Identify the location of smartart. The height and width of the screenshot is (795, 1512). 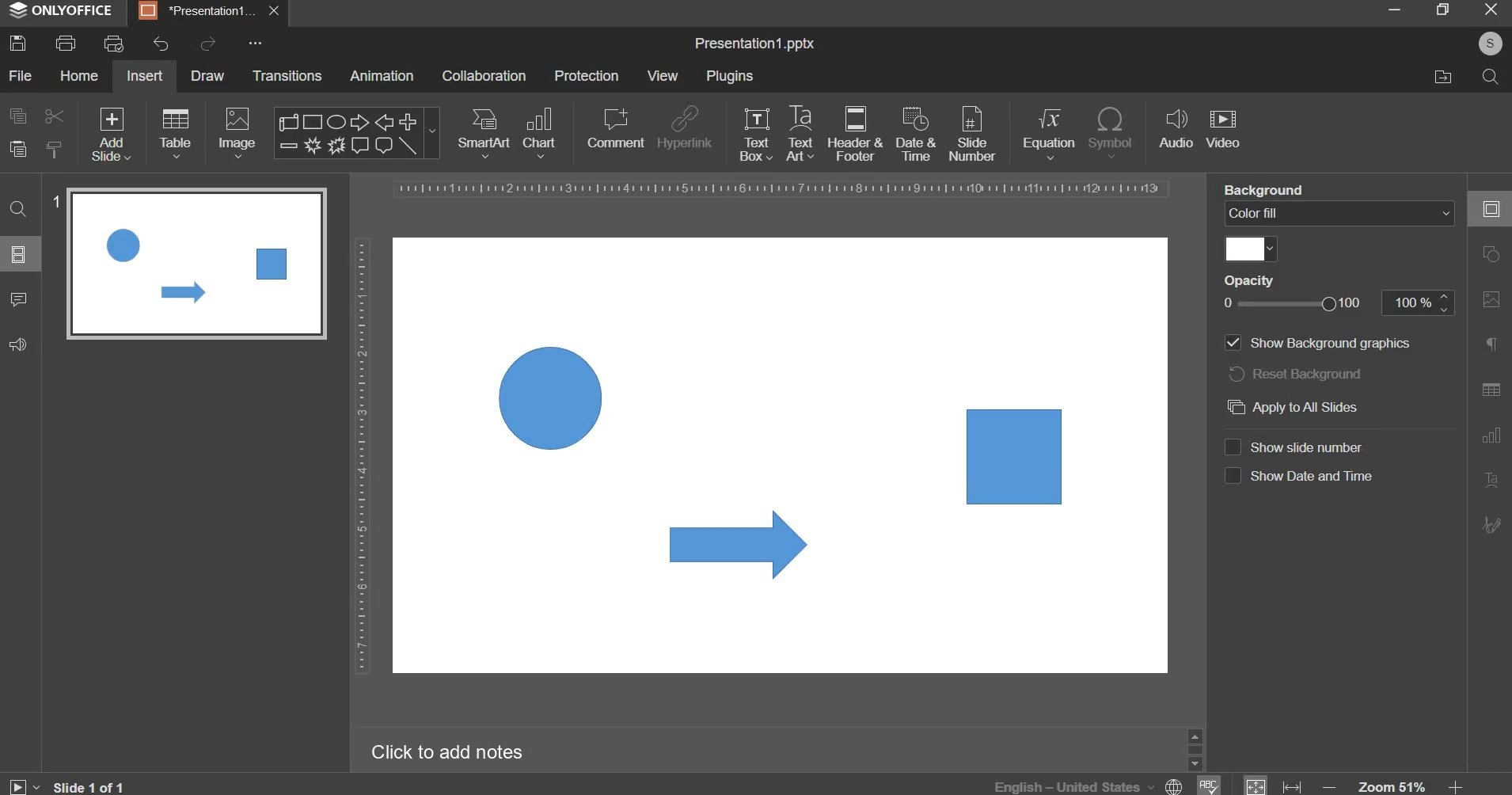
(484, 130).